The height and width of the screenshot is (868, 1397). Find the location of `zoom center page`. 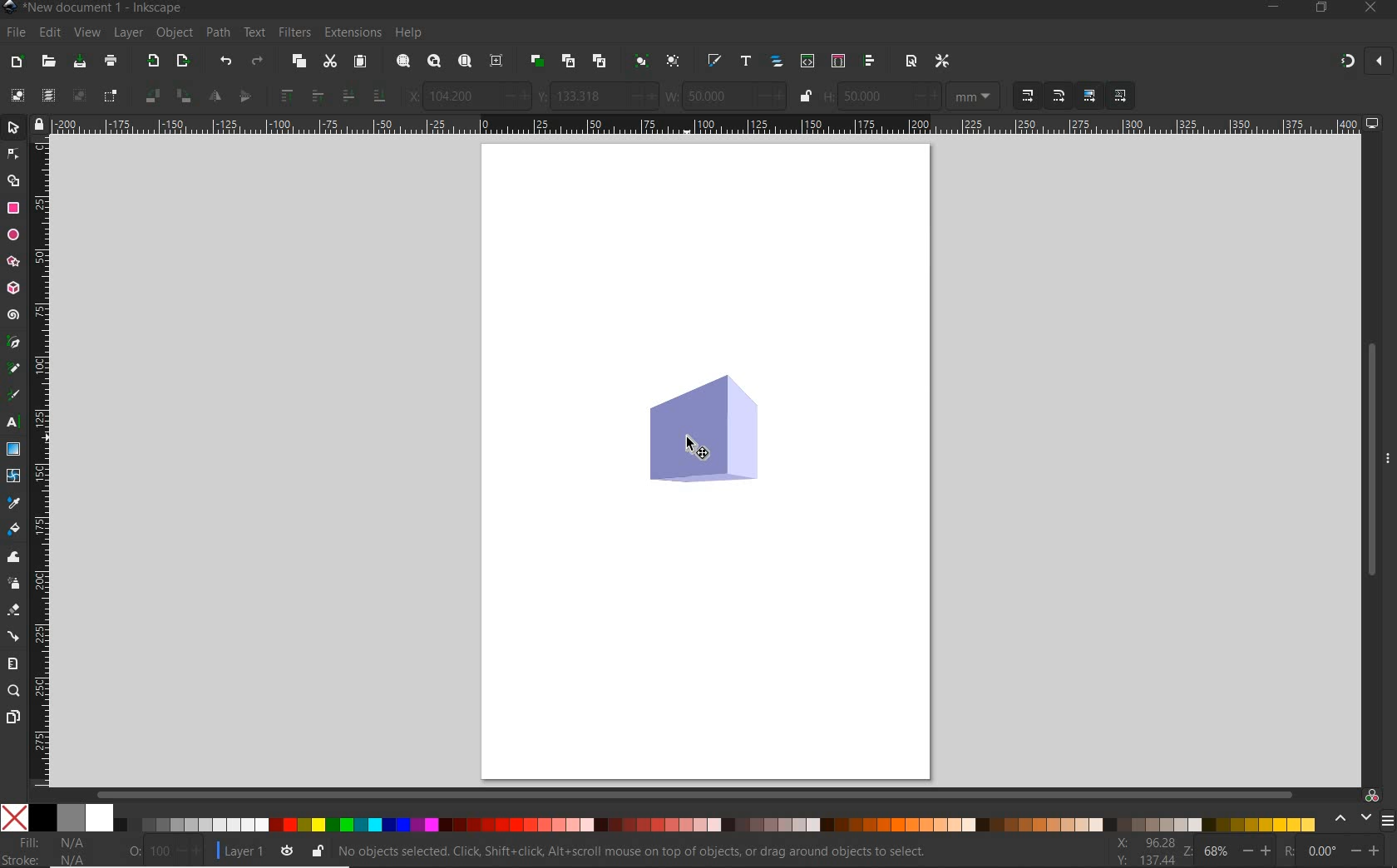

zoom center page is located at coordinates (496, 60).